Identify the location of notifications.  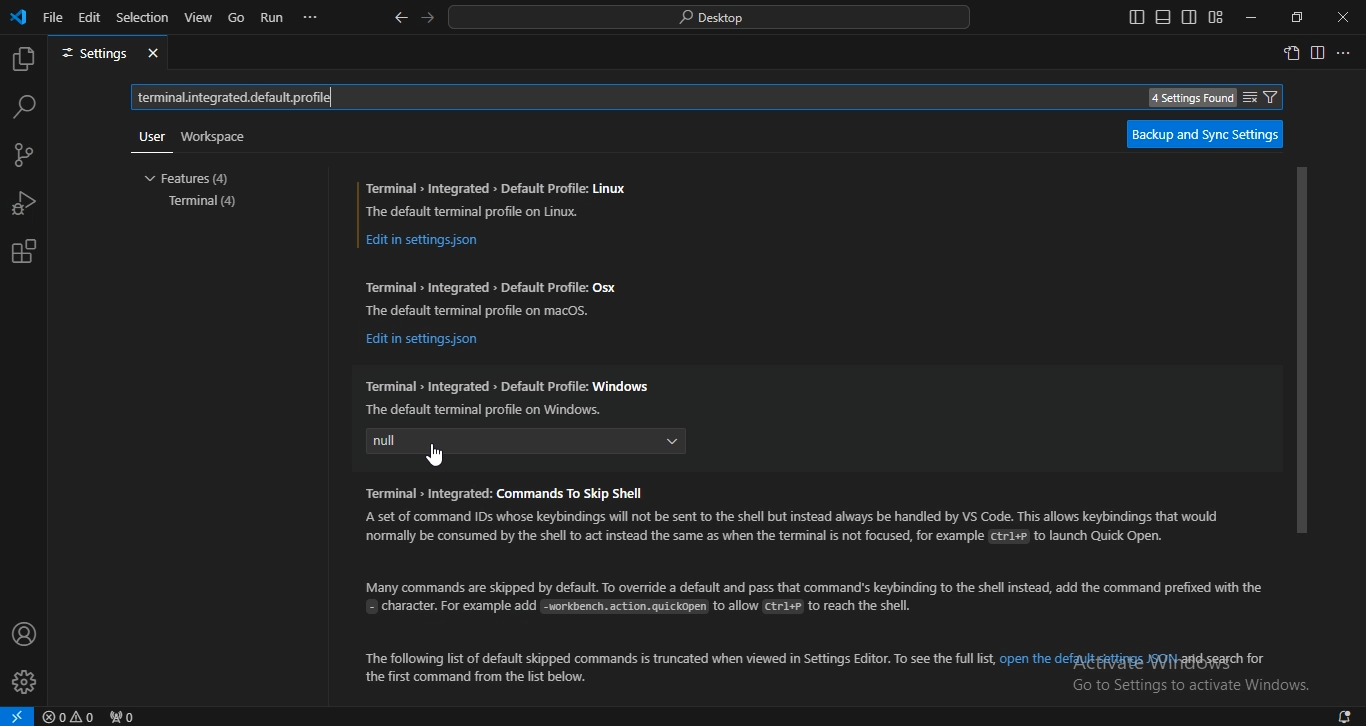
(1346, 717).